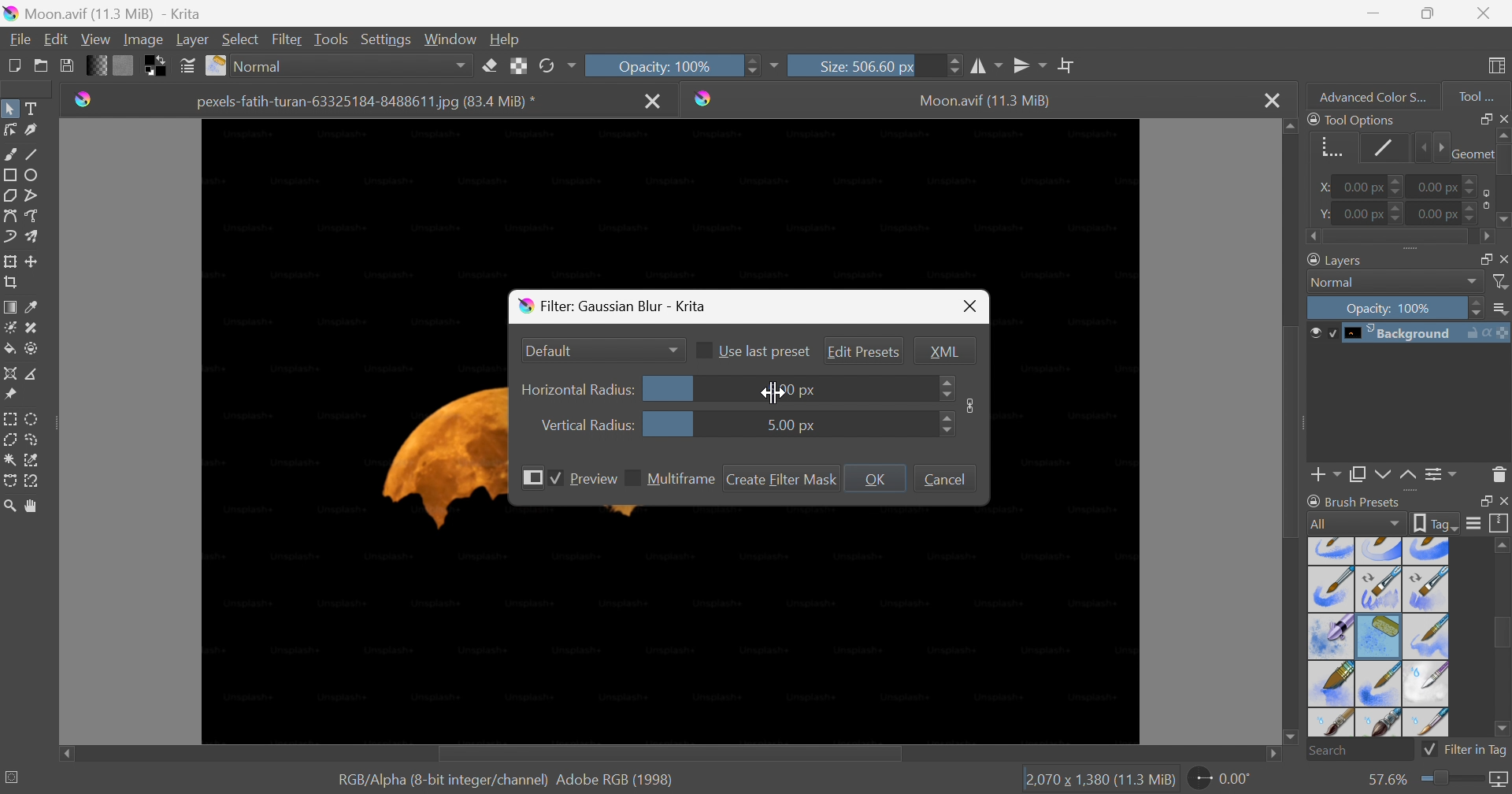  Describe the element at coordinates (579, 391) in the screenshot. I see `Horizontal Radius:` at that location.